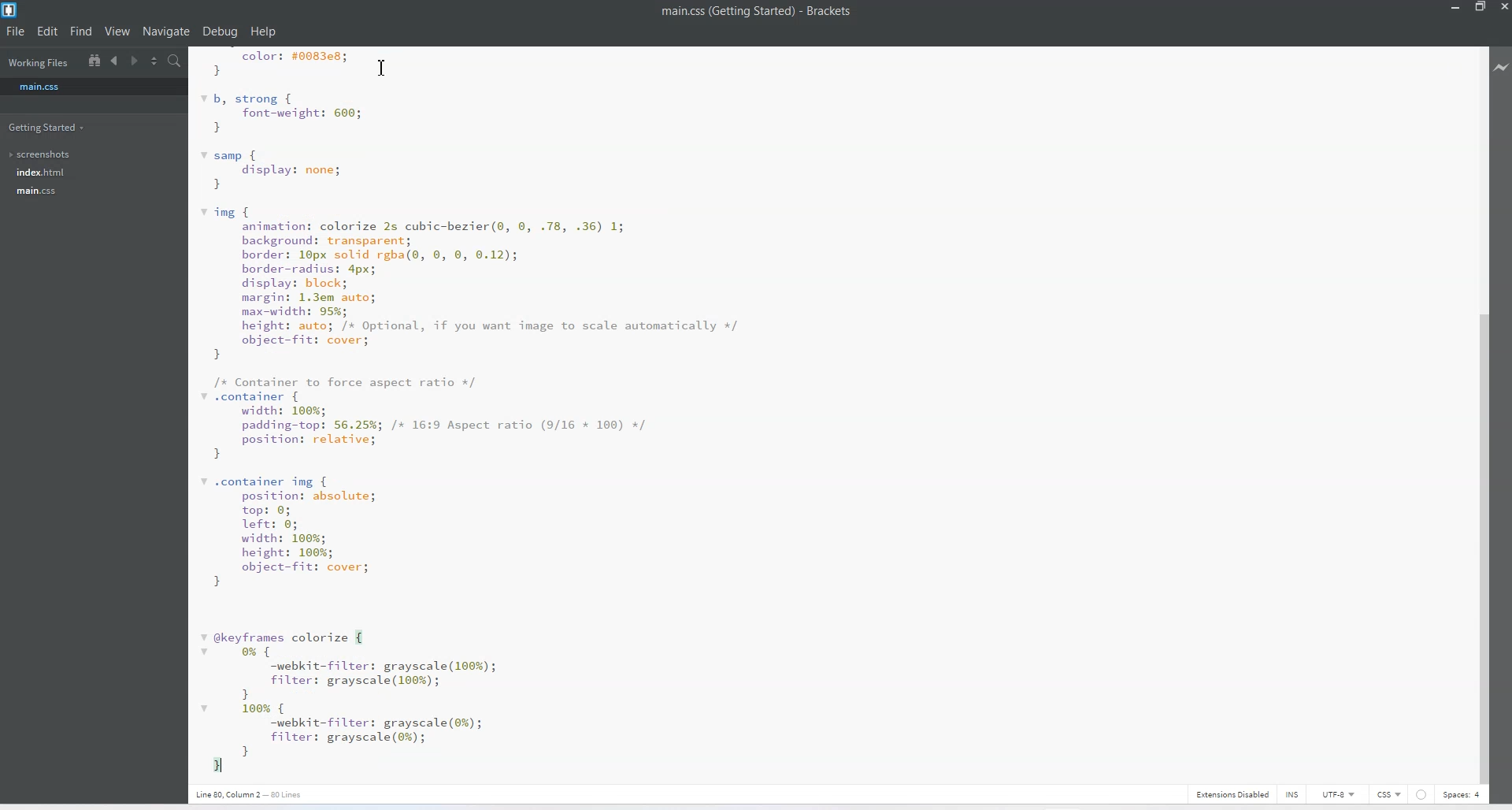  What do you see at coordinates (1484, 414) in the screenshot?
I see `Vertical Scroll Bar` at bounding box center [1484, 414].